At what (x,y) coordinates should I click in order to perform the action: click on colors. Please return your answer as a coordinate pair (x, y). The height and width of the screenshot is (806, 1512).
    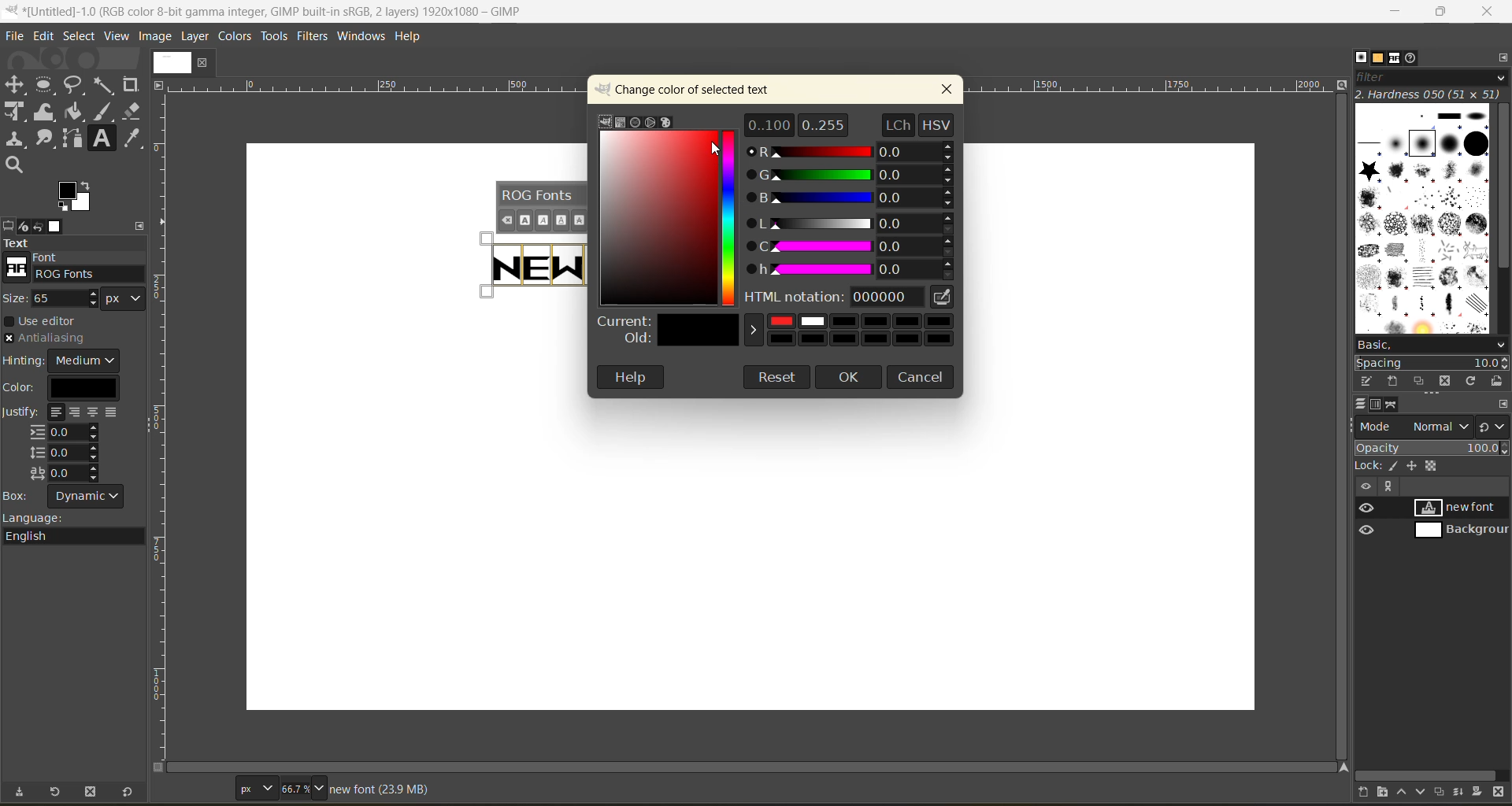
    Looking at the image, I should click on (232, 36).